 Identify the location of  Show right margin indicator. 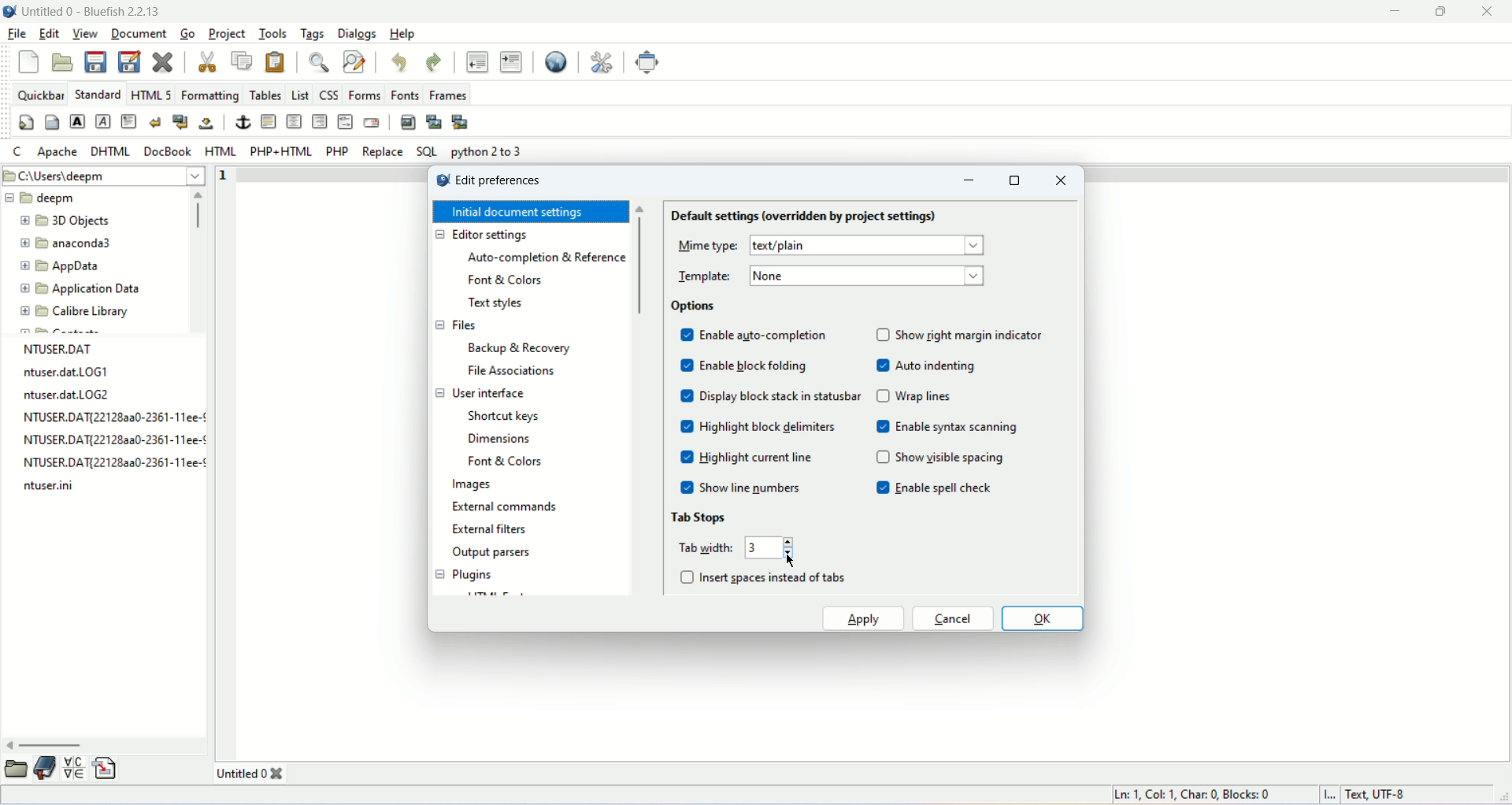
(974, 336).